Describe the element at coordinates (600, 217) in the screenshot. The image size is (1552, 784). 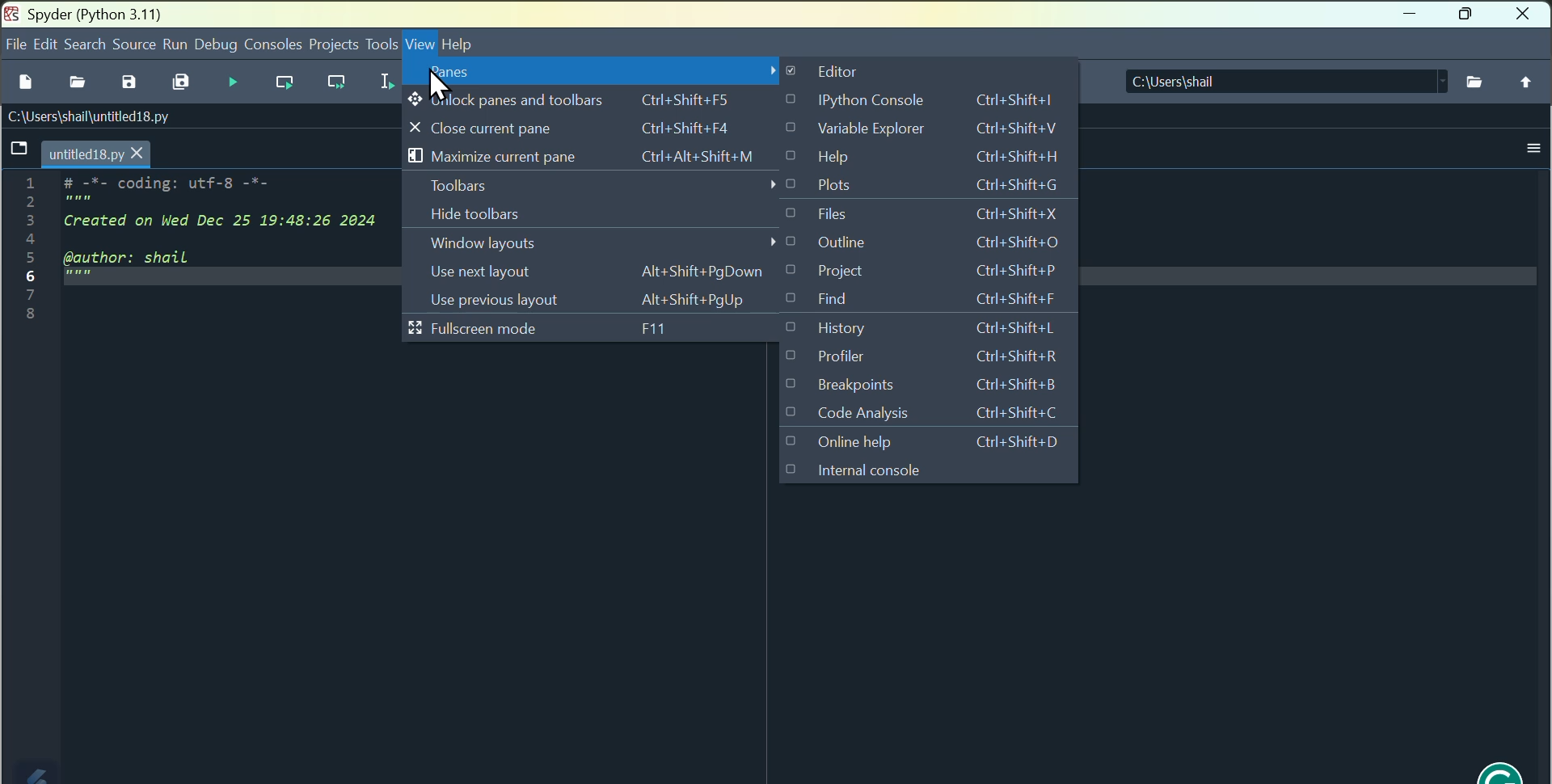
I see `Hide toolbars` at that location.